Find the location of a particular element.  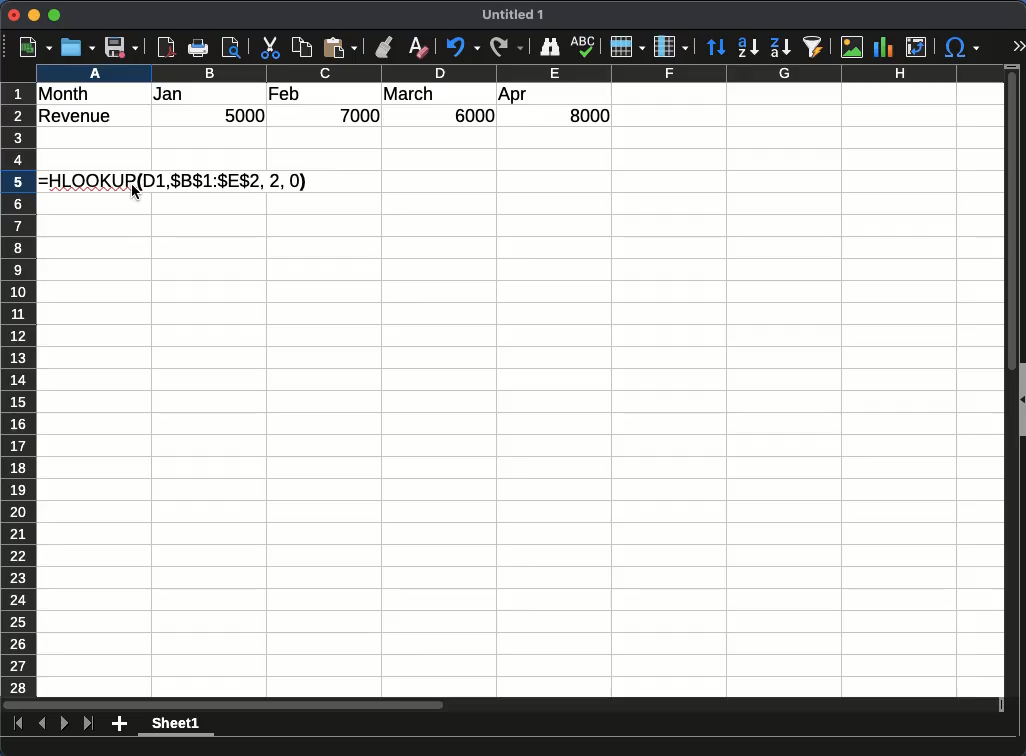

Untitled 1 is located at coordinates (513, 14).